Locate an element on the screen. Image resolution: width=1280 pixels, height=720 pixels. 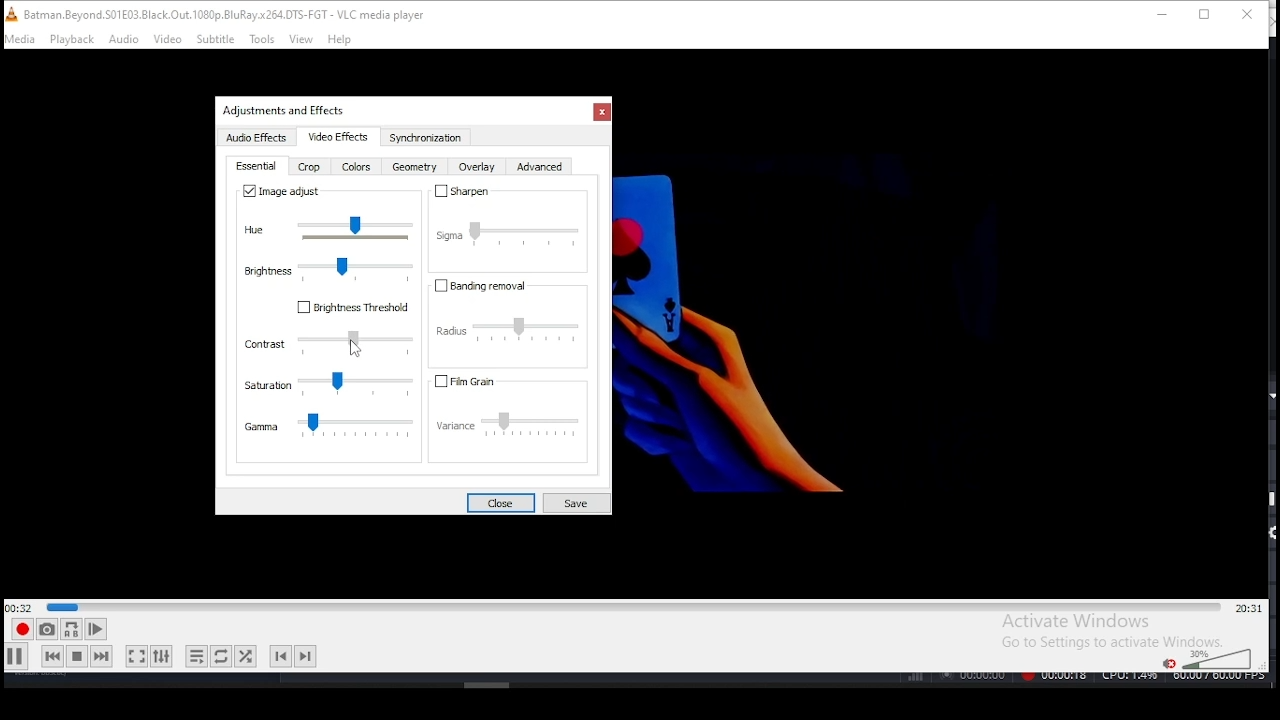
variance settings slider is located at coordinates (515, 428).